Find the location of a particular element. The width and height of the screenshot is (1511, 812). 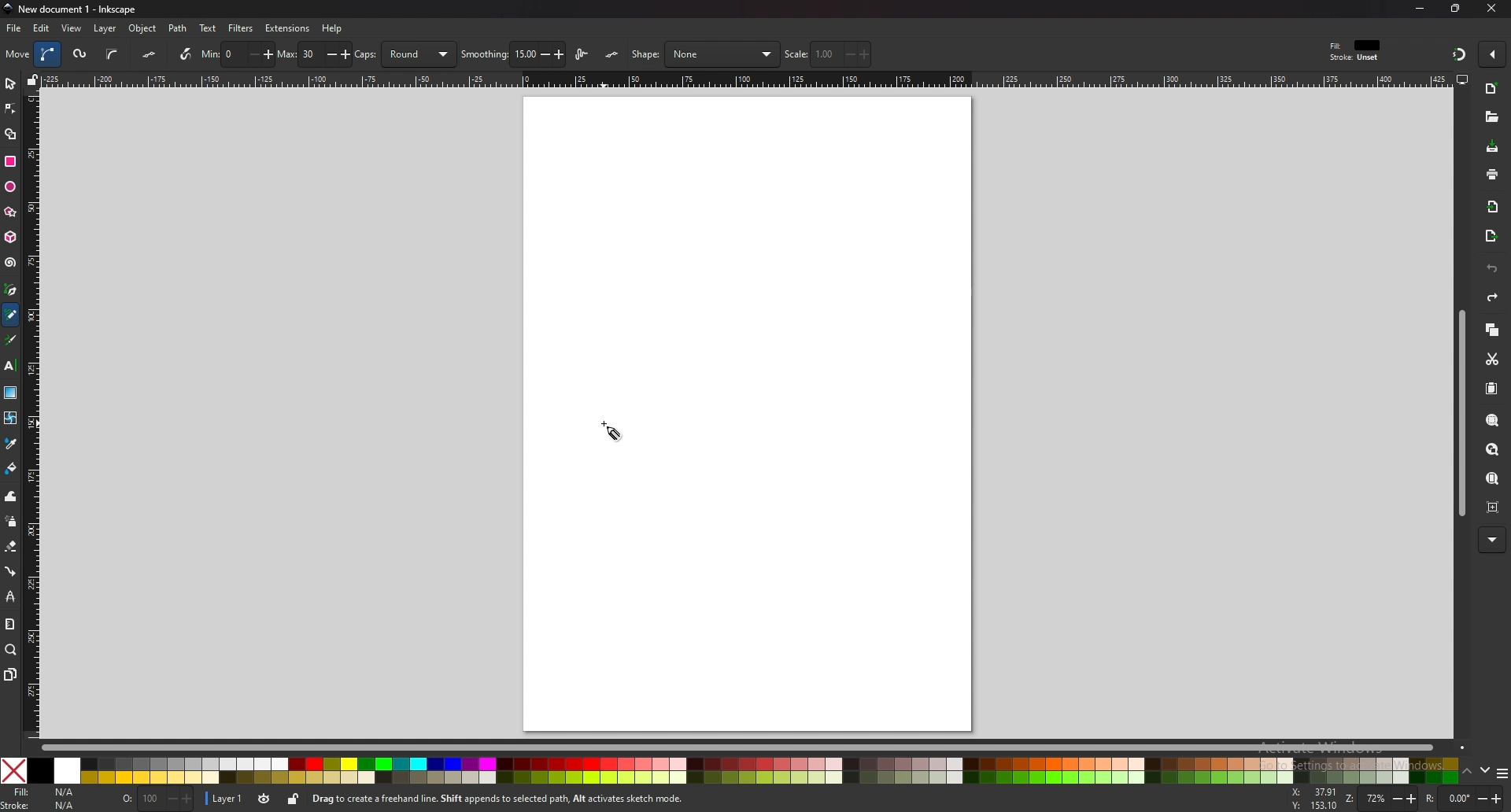

calligraphy is located at coordinates (9, 340).